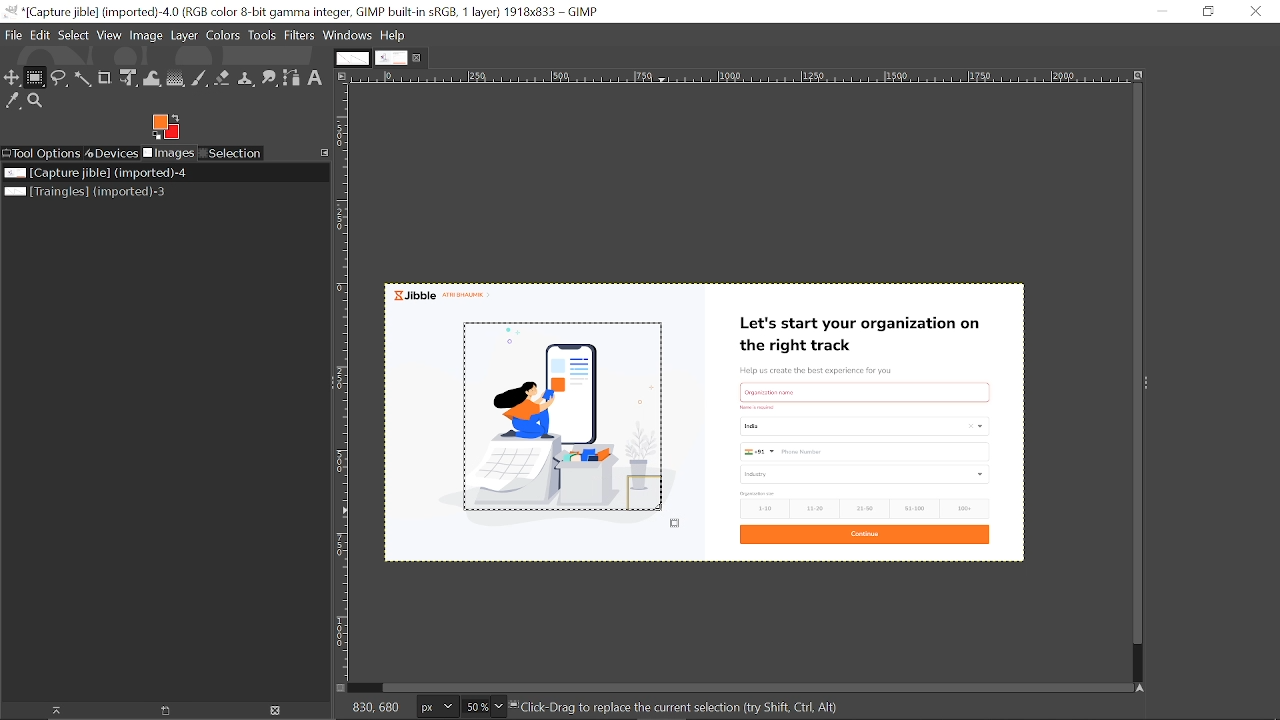 The width and height of the screenshot is (1280, 720). I want to click on File, so click(11, 34).